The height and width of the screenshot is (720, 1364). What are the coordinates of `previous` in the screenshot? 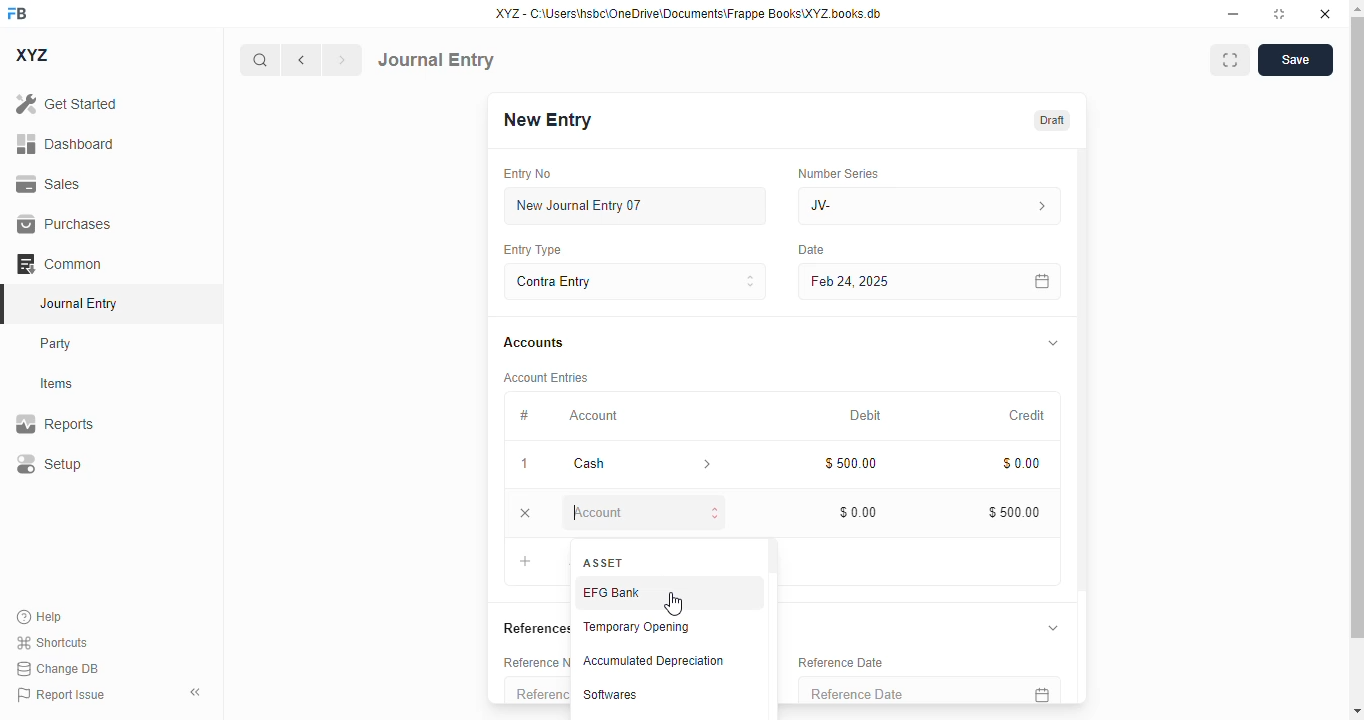 It's located at (301, 60).